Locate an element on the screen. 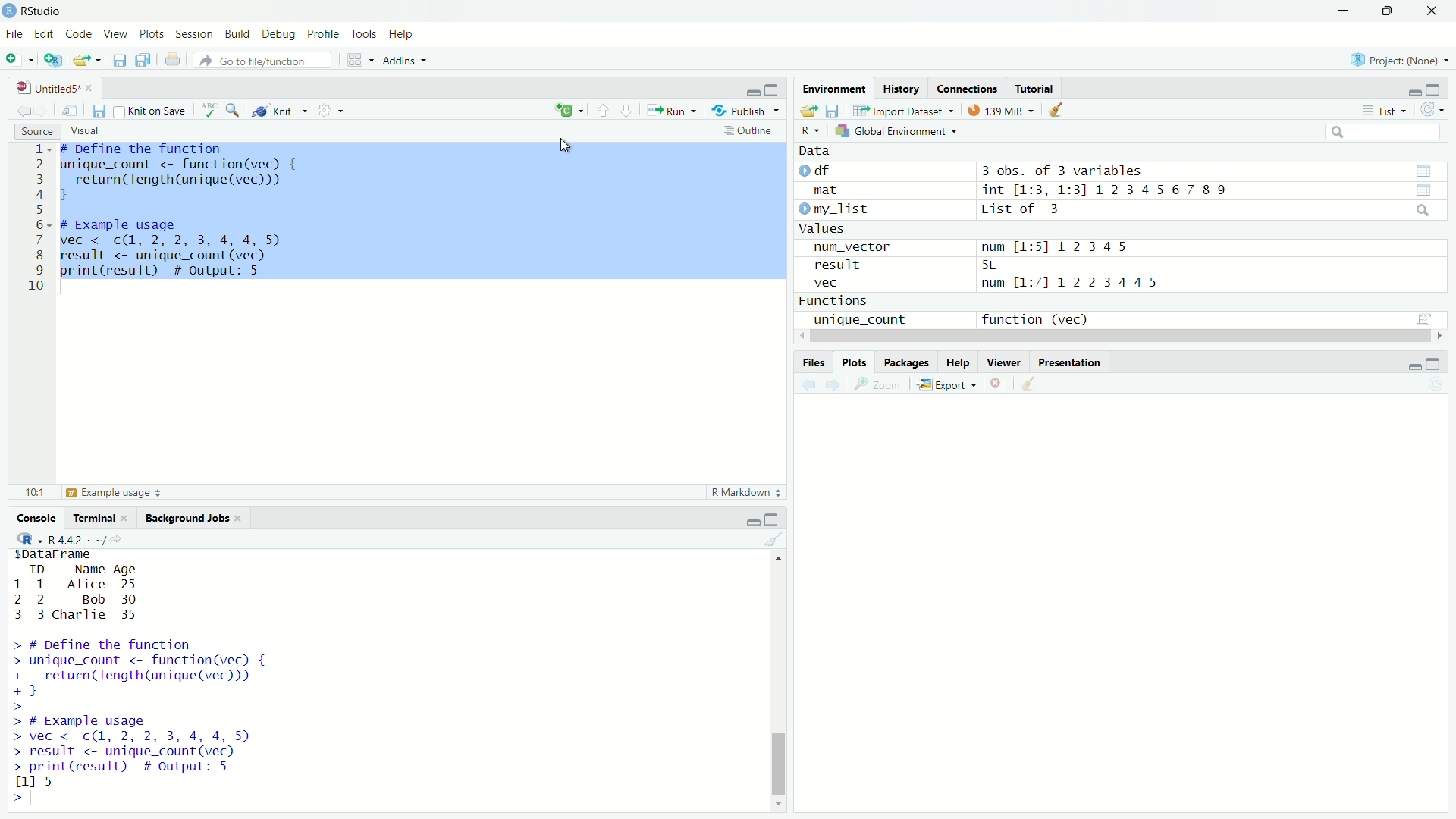  Import Dataset is located at coordinates (902, 111).